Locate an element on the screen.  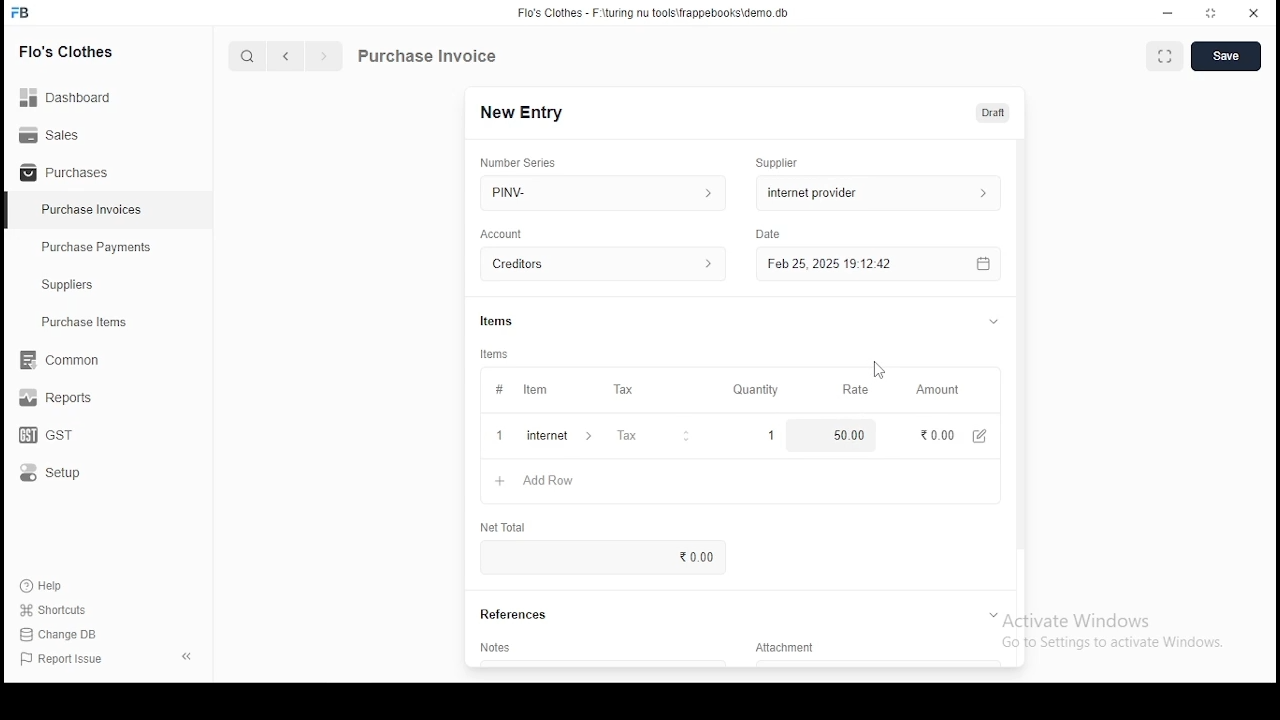
close pane is located at coordinates (185, 655).